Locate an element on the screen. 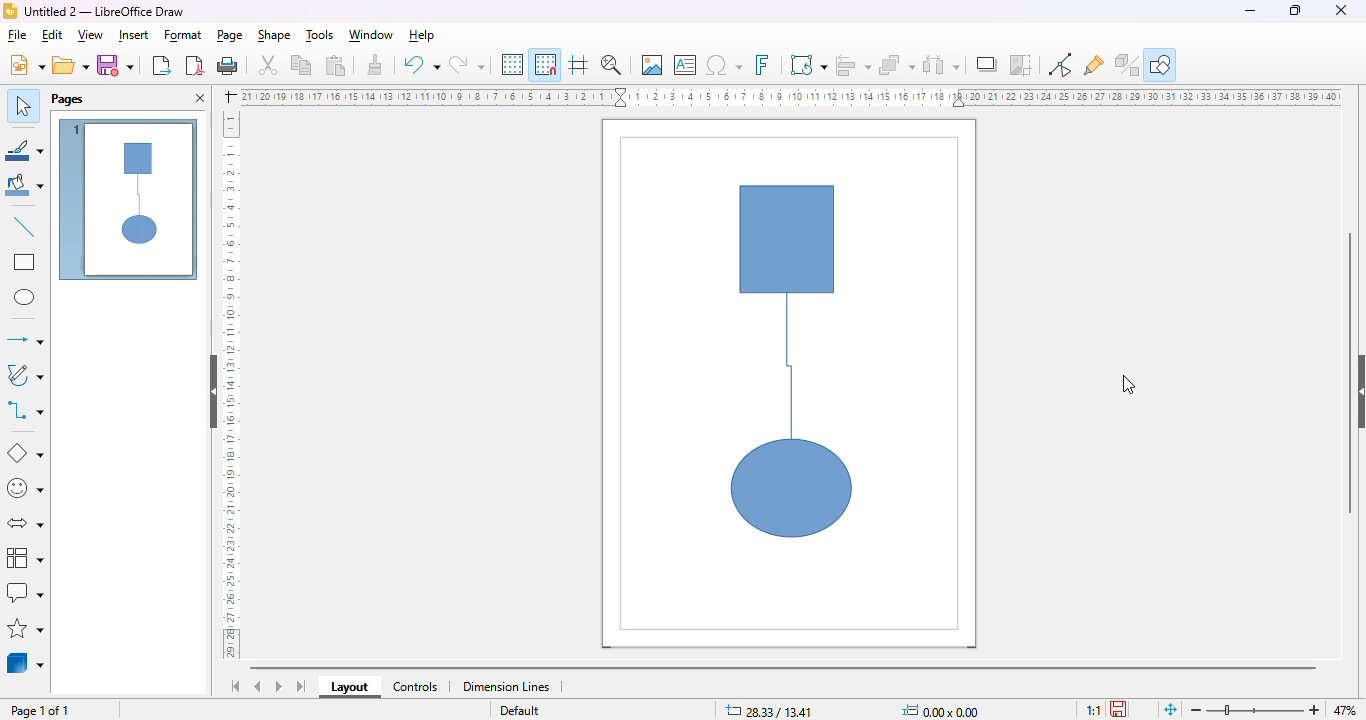 This screenshot has height=720, width=1366. the document has been modified is located at coordinates (1120, 708).